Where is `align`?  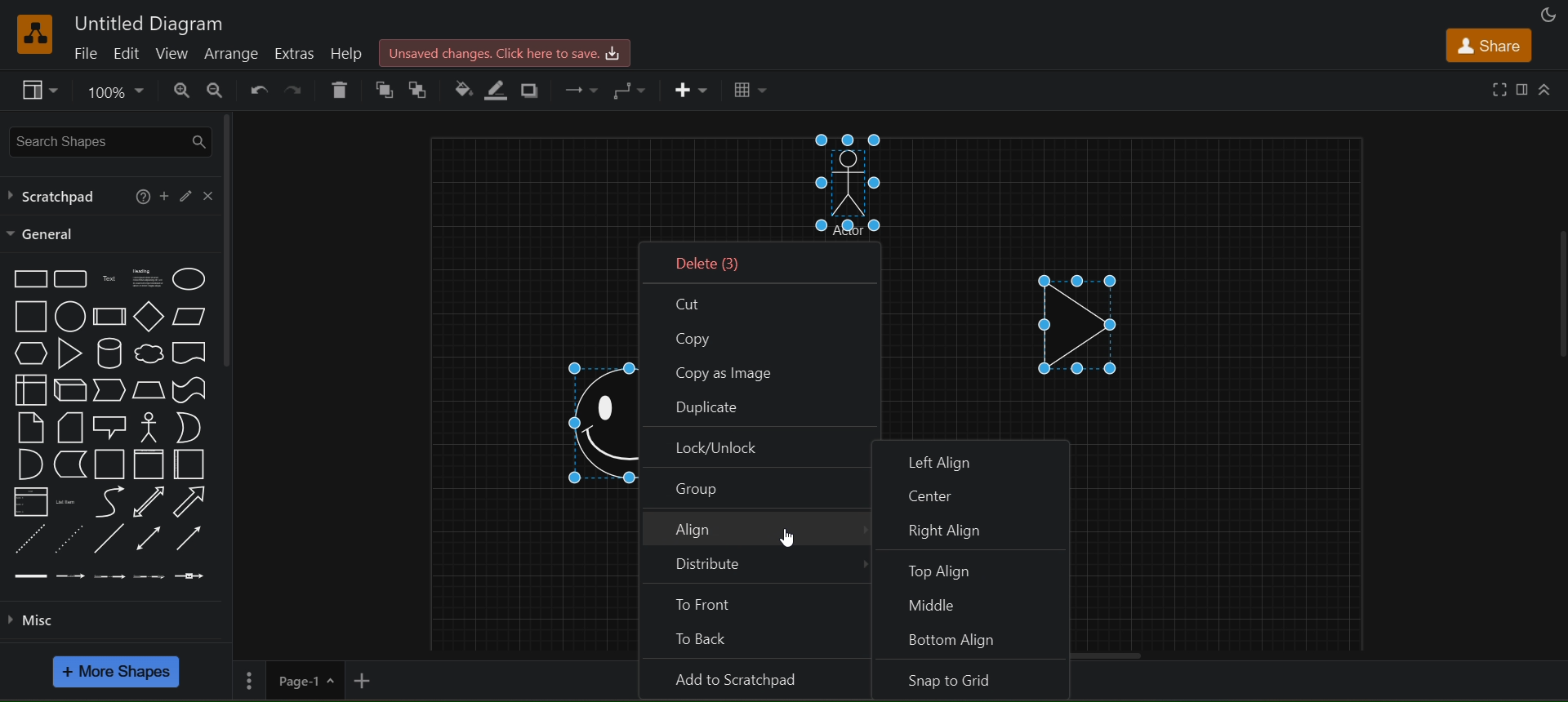 align is located at coordinates (758, 531).